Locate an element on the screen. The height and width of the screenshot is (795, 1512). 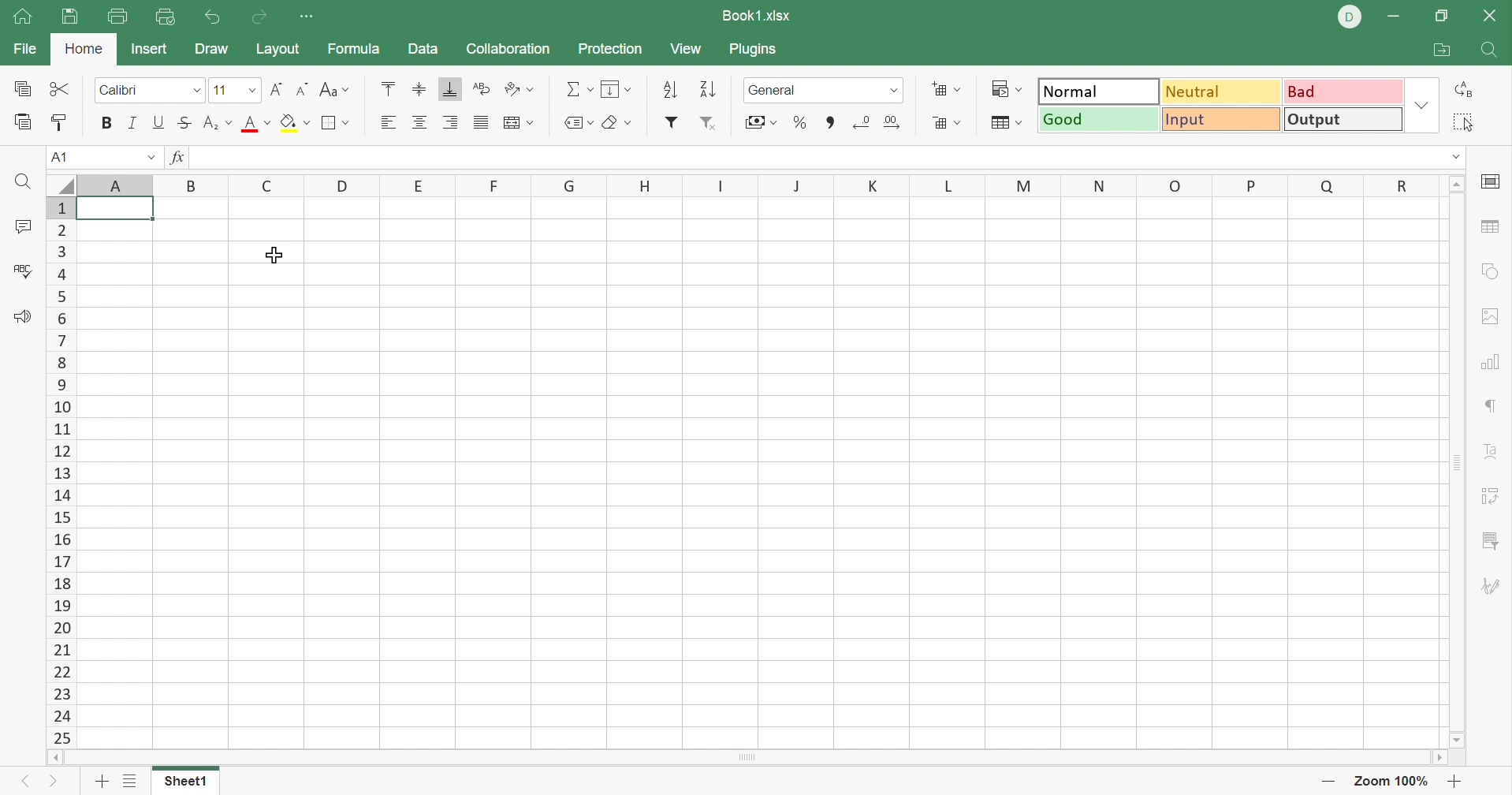
Close is located at coordinates (1492, 19).